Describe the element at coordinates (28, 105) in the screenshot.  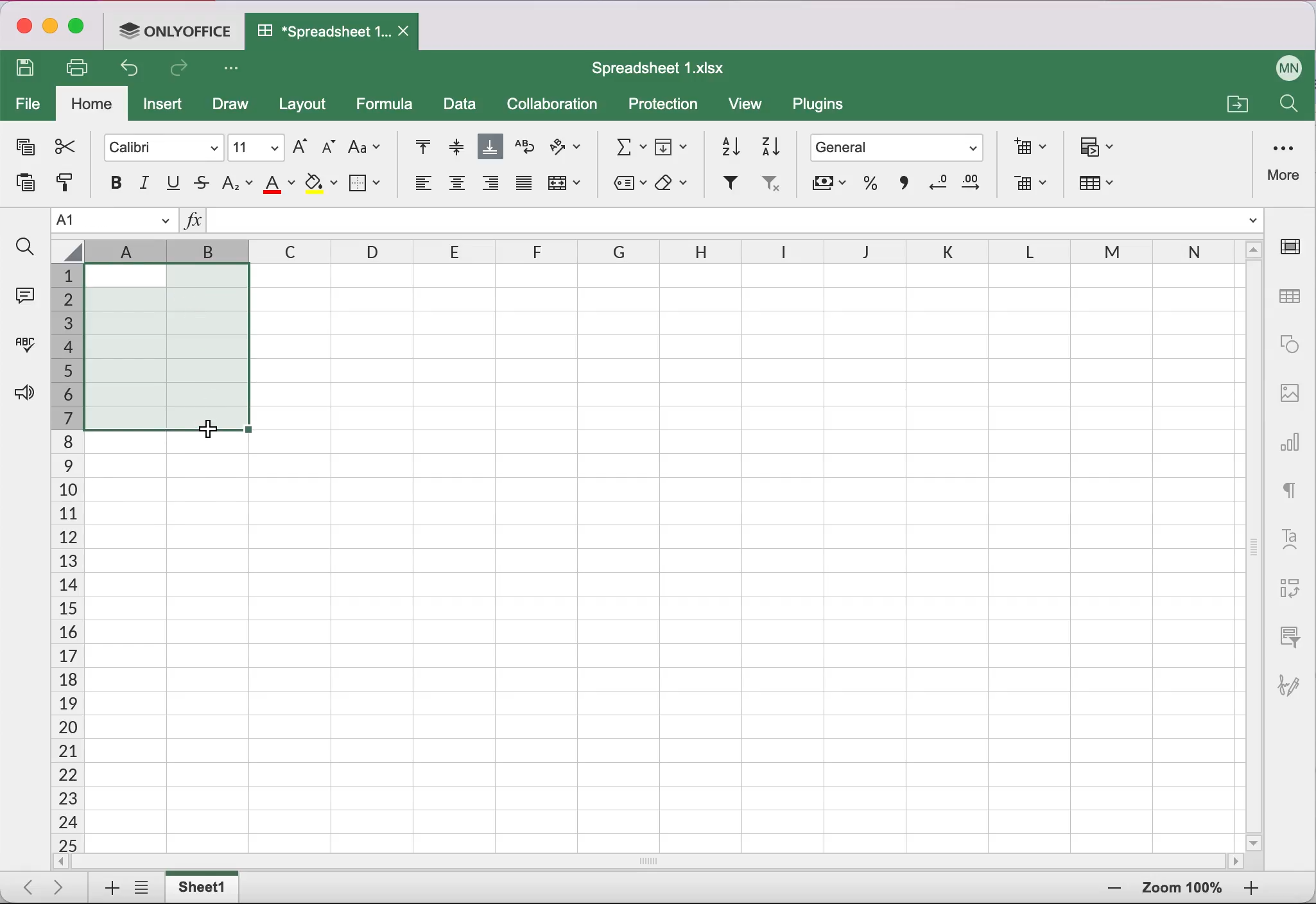
I see `file` at that location.